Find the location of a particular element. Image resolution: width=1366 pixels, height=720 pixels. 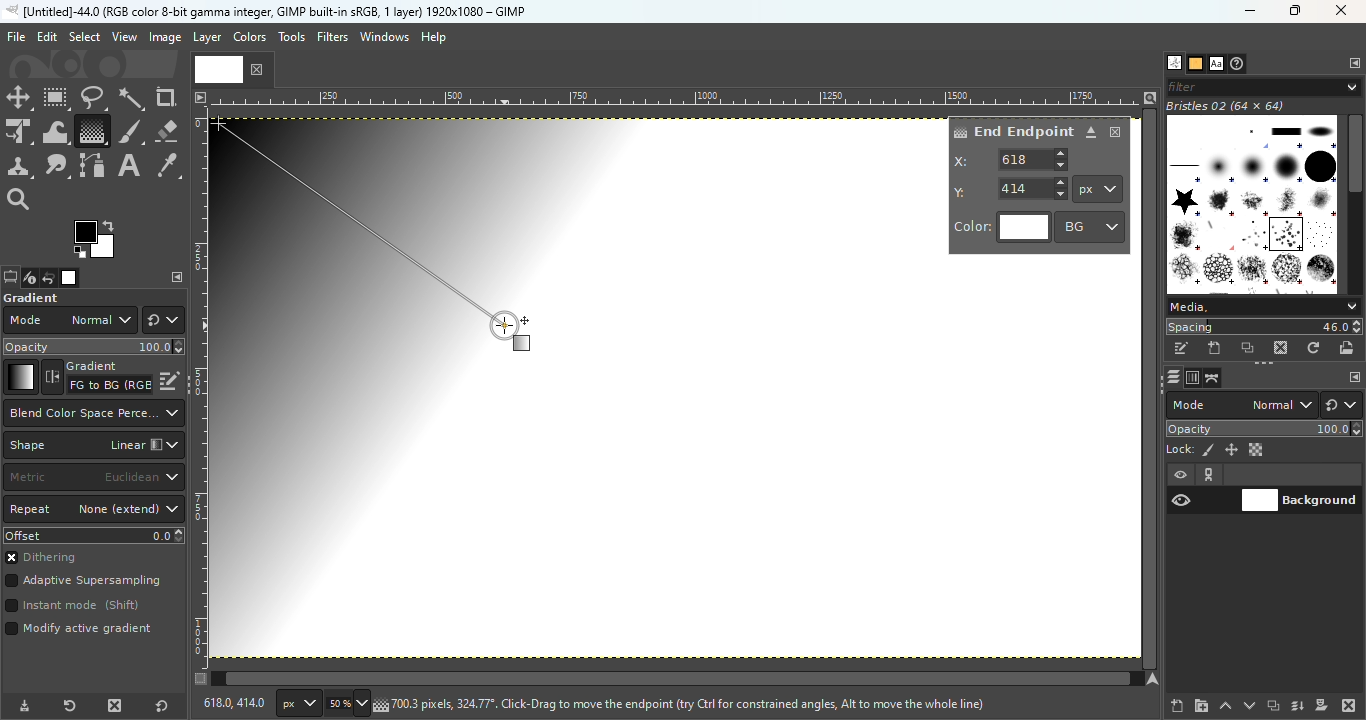

Crop tool is located at coordinates (166, 97).